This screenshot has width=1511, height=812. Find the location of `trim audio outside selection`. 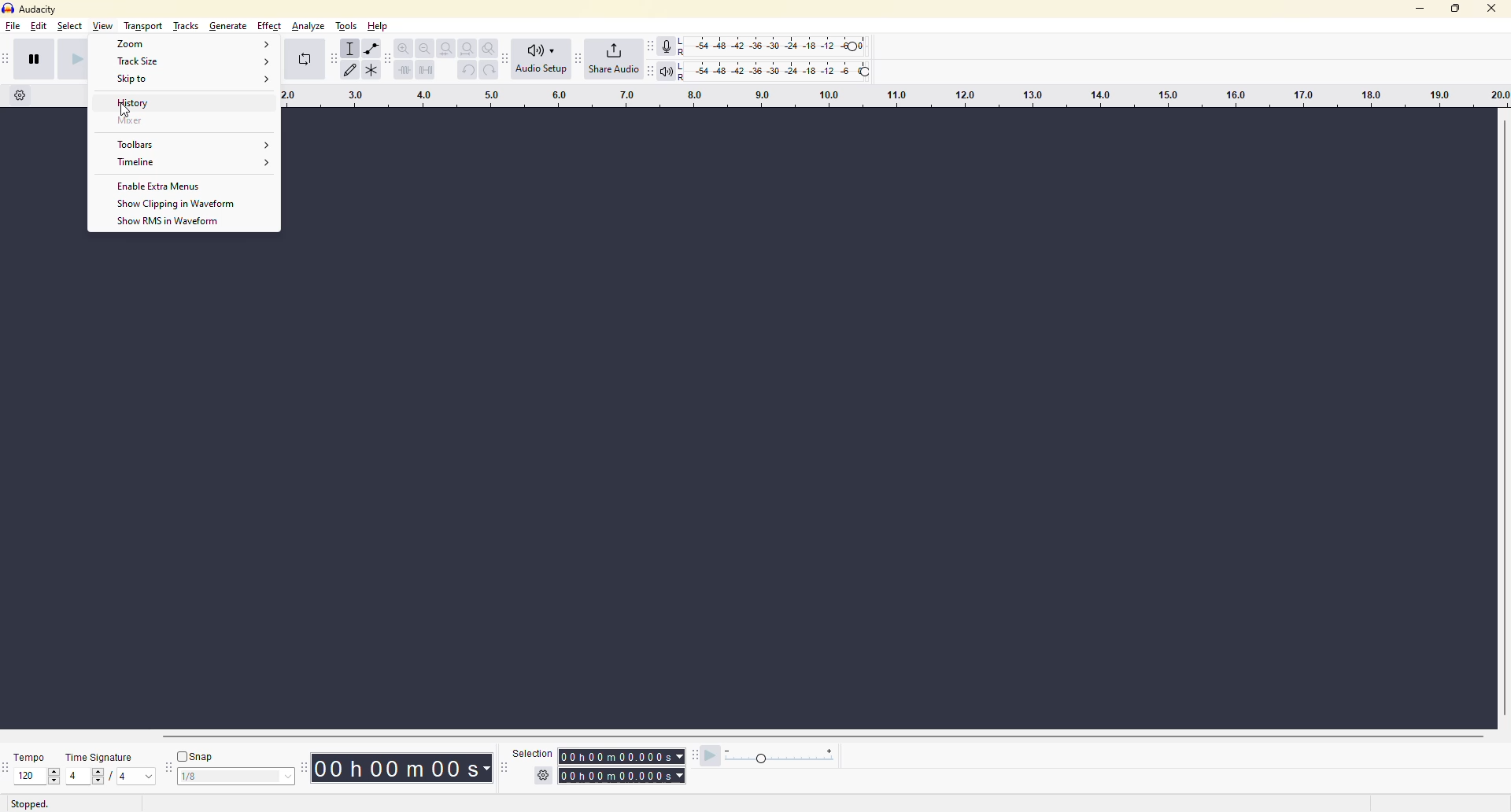

trim audio outside selection is located at coordinates (405, 72).